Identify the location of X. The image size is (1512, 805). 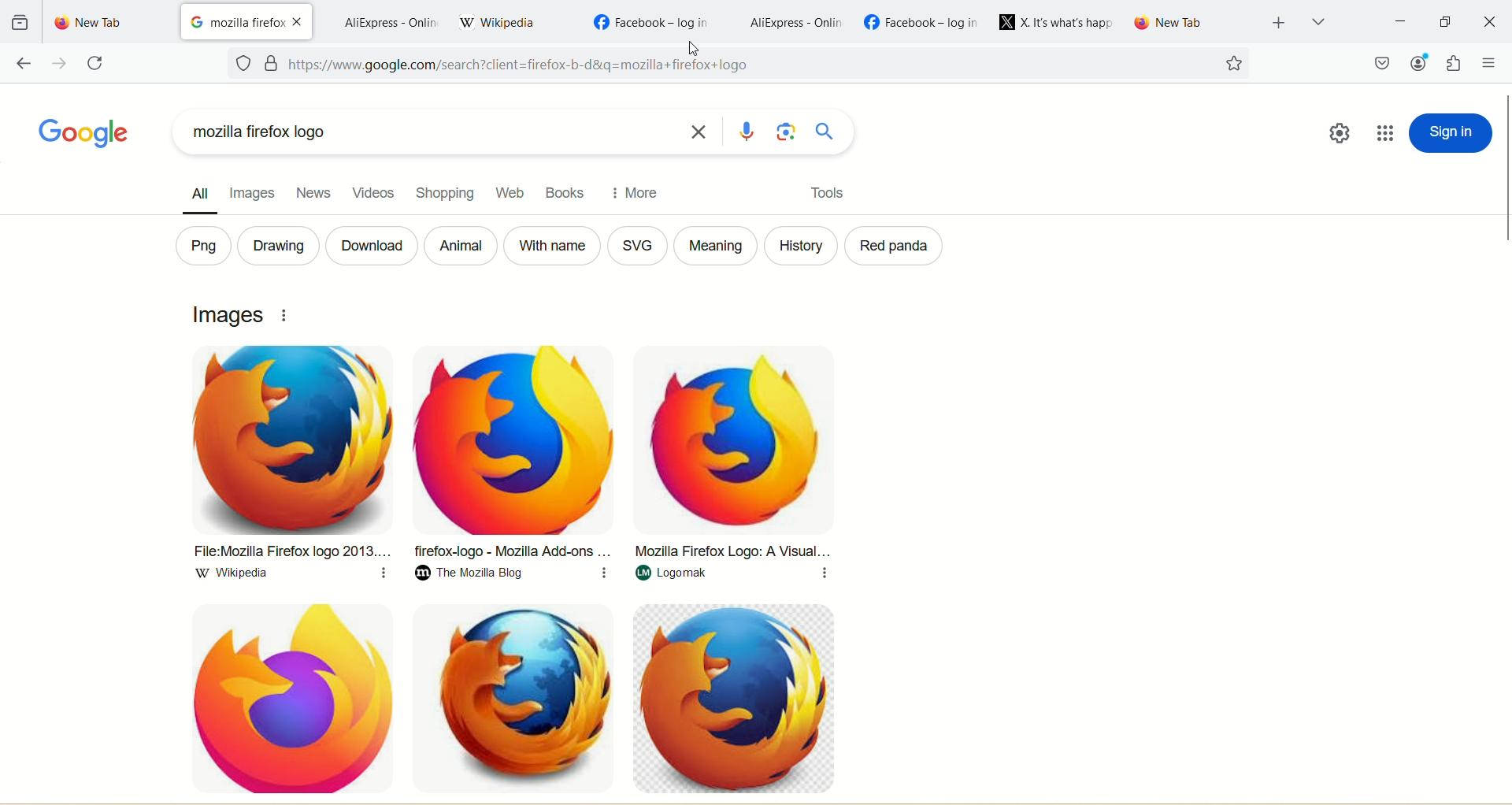
(1057, 22).